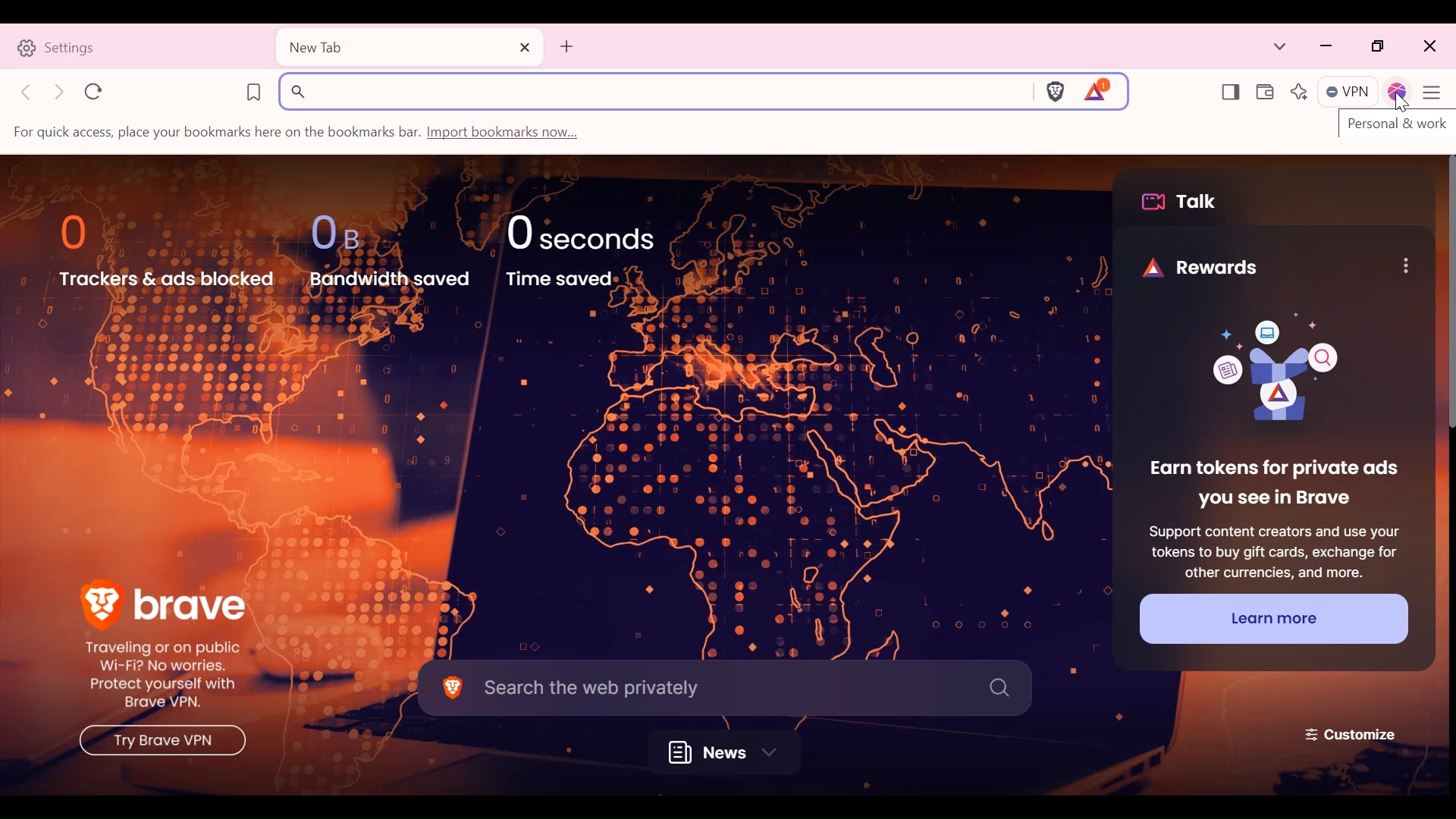 This screenshot has width=1456, height=819. What do you see at coordinates (1436, 95) in the screenshot?
I see `Customize and Control Brave` at bounding box center [1436, 95].